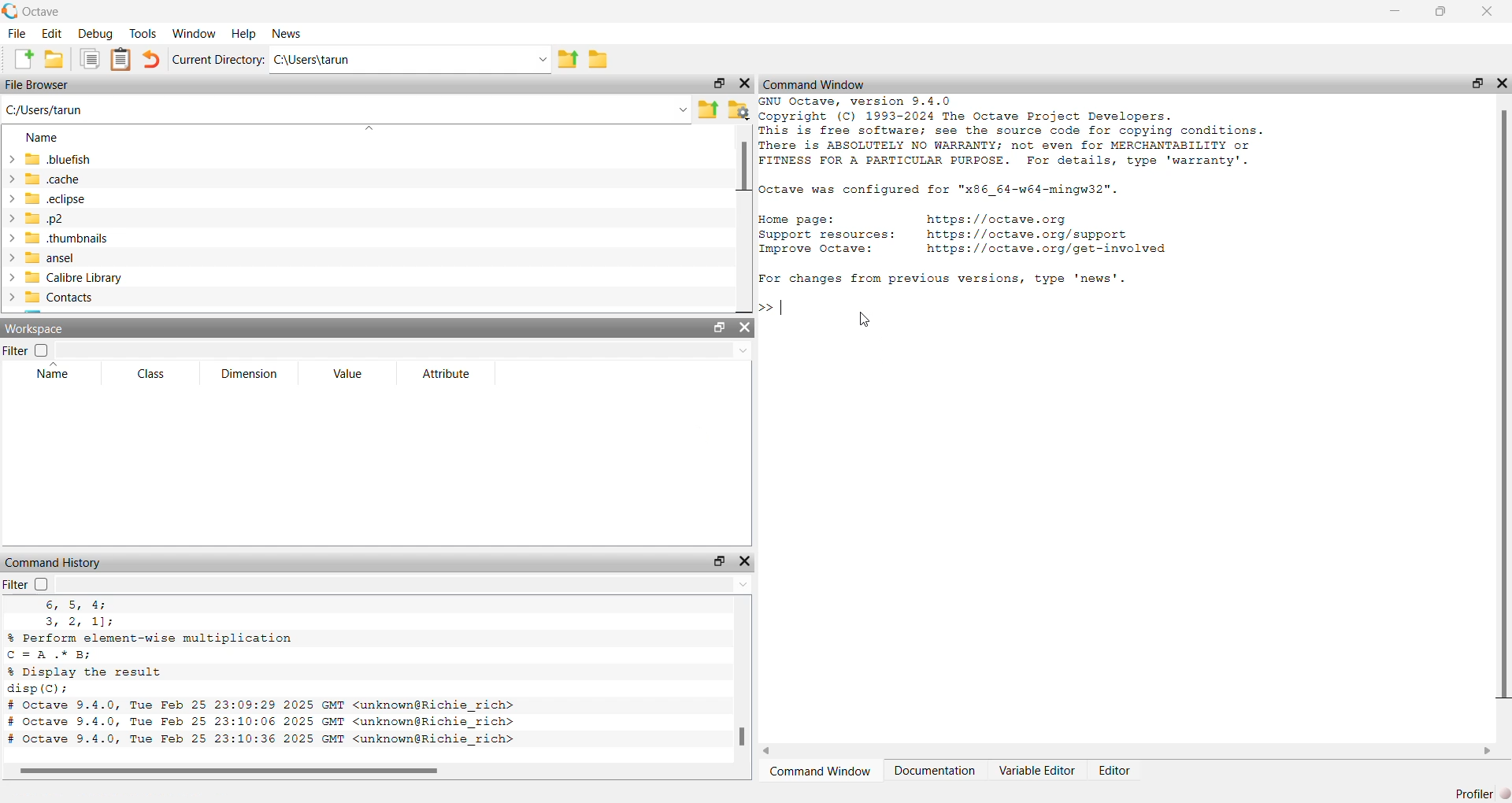  What do you see at coordinates (93, 34) in the screenshot?
I see `Debug` at bounding box center [93, 34].